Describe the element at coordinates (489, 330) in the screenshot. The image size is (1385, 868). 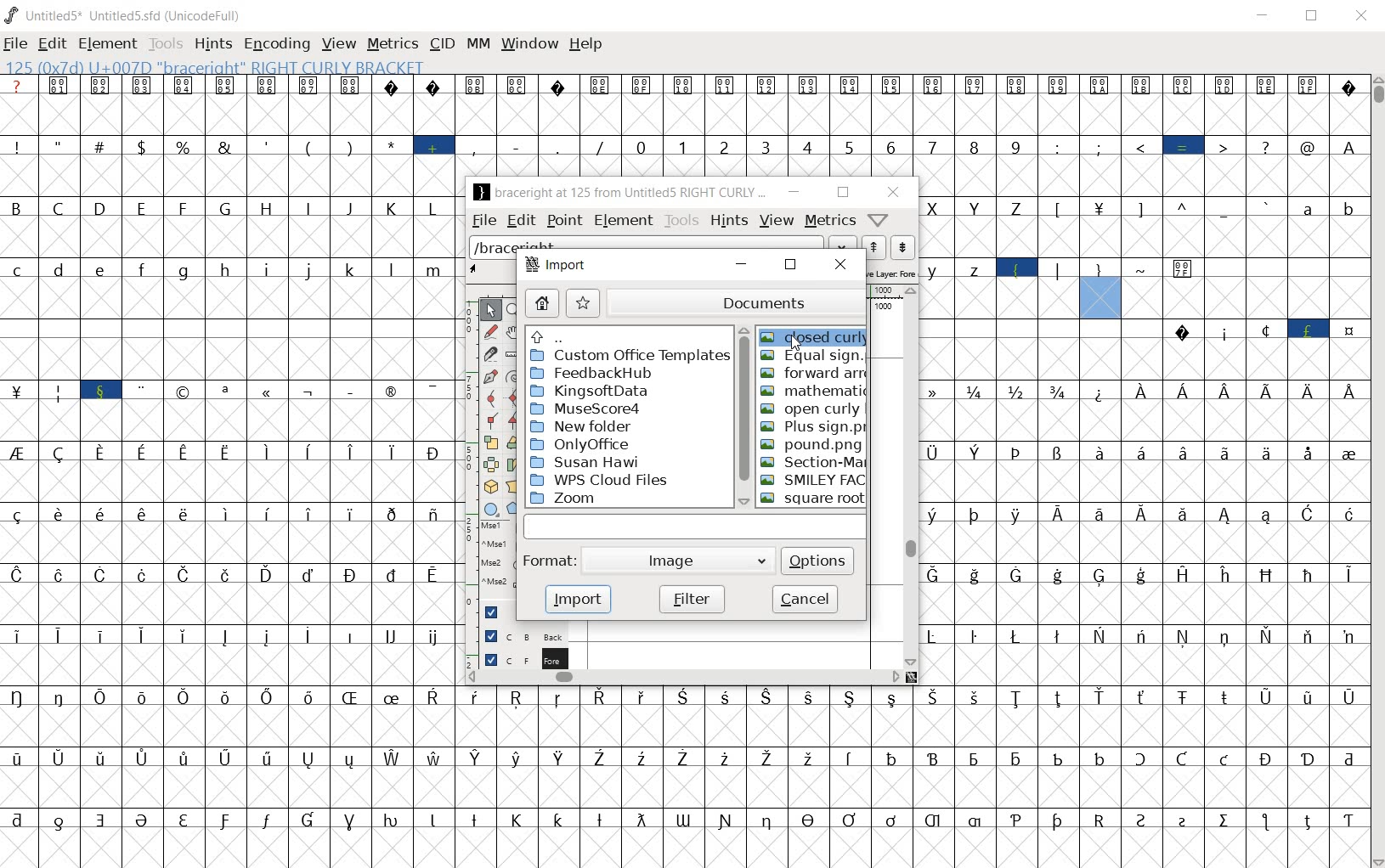
I see `draw a freehand curve` at that location.